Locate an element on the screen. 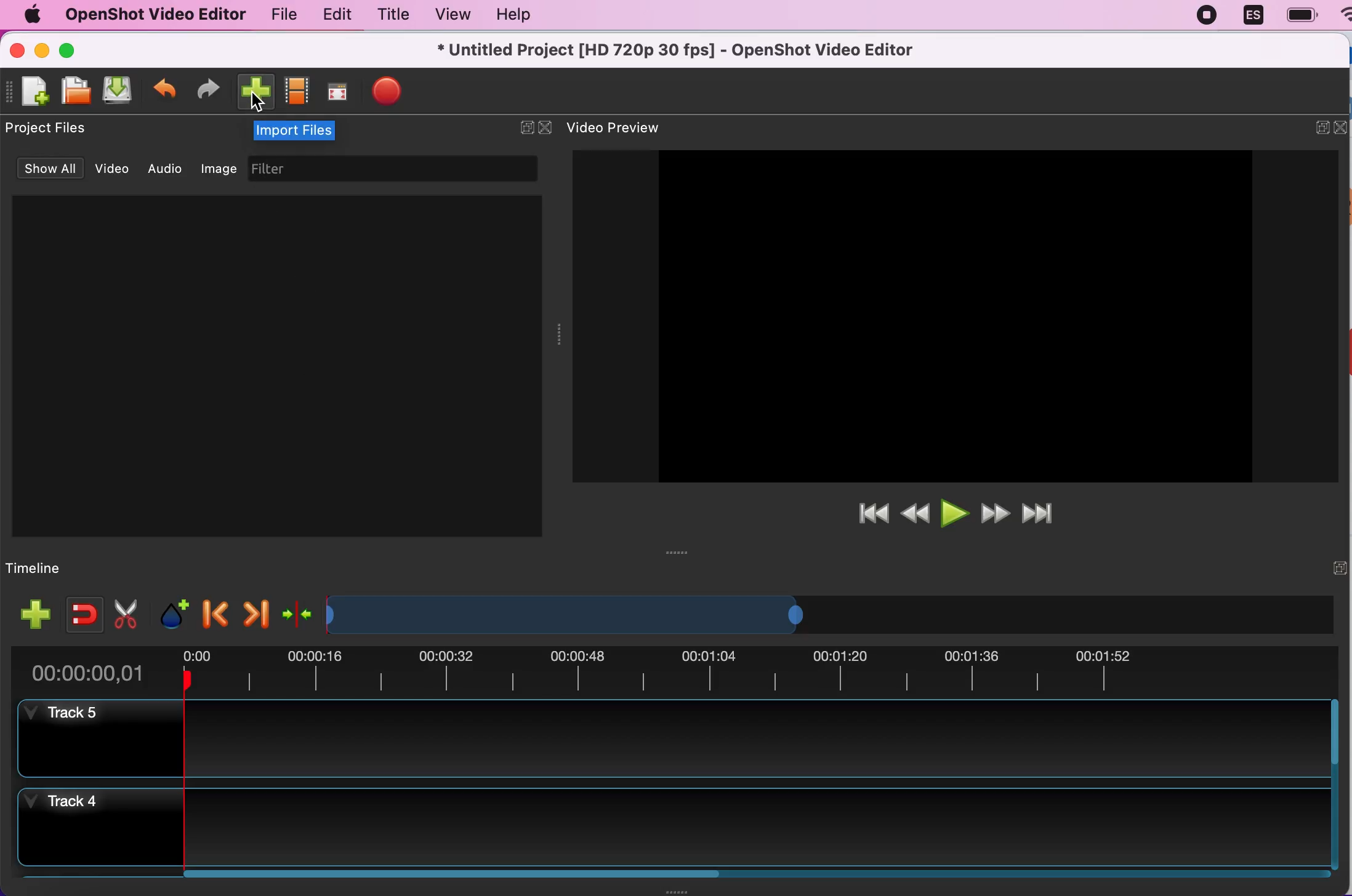  new file is located at coordinates (32, 92).